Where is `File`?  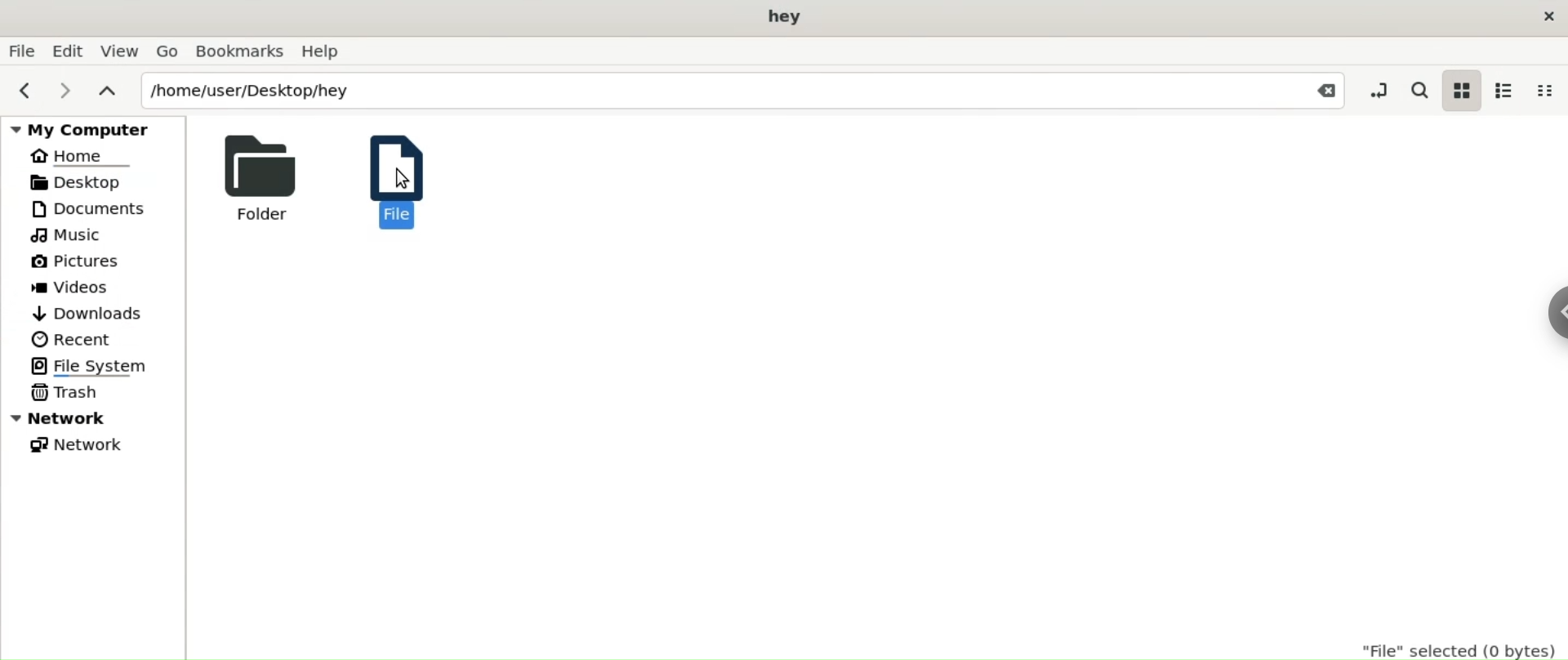 File is located at coordinates (22, 50).